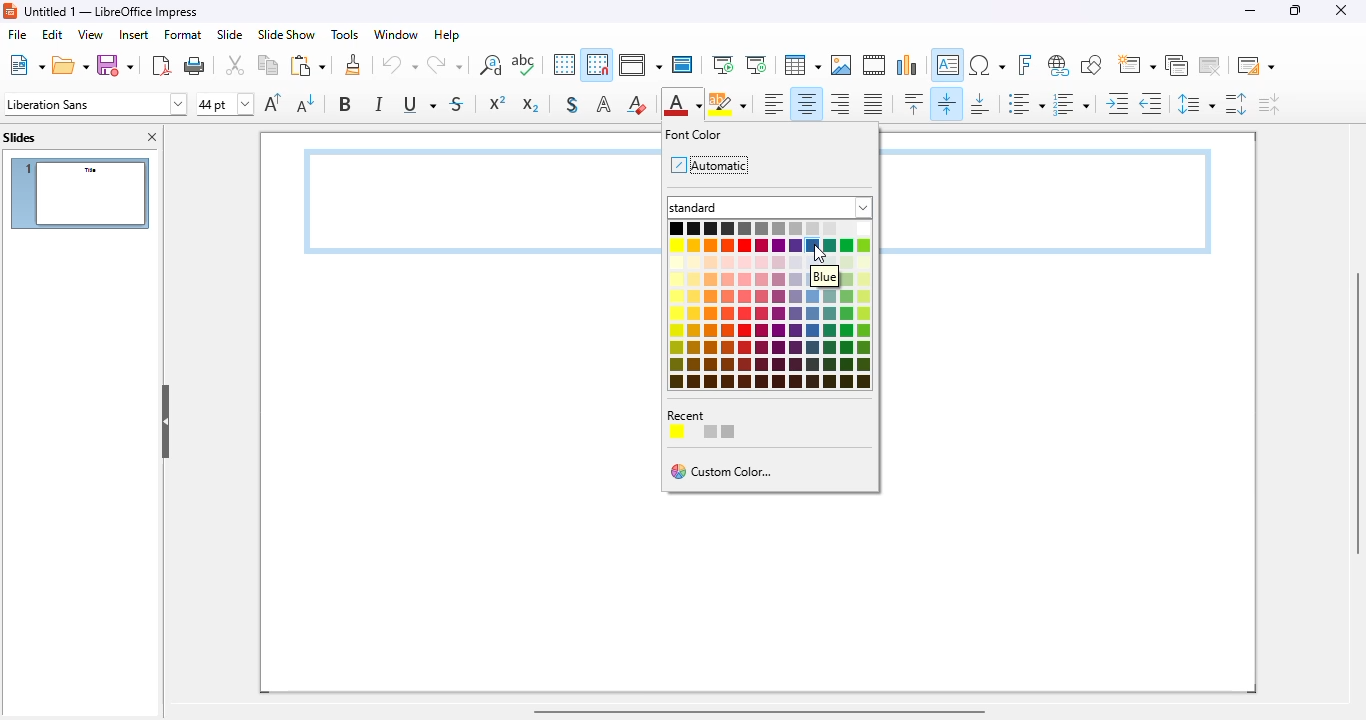 This screenshot has height=720, width=1366. I want to click on clone formatting, so click(354, 65).